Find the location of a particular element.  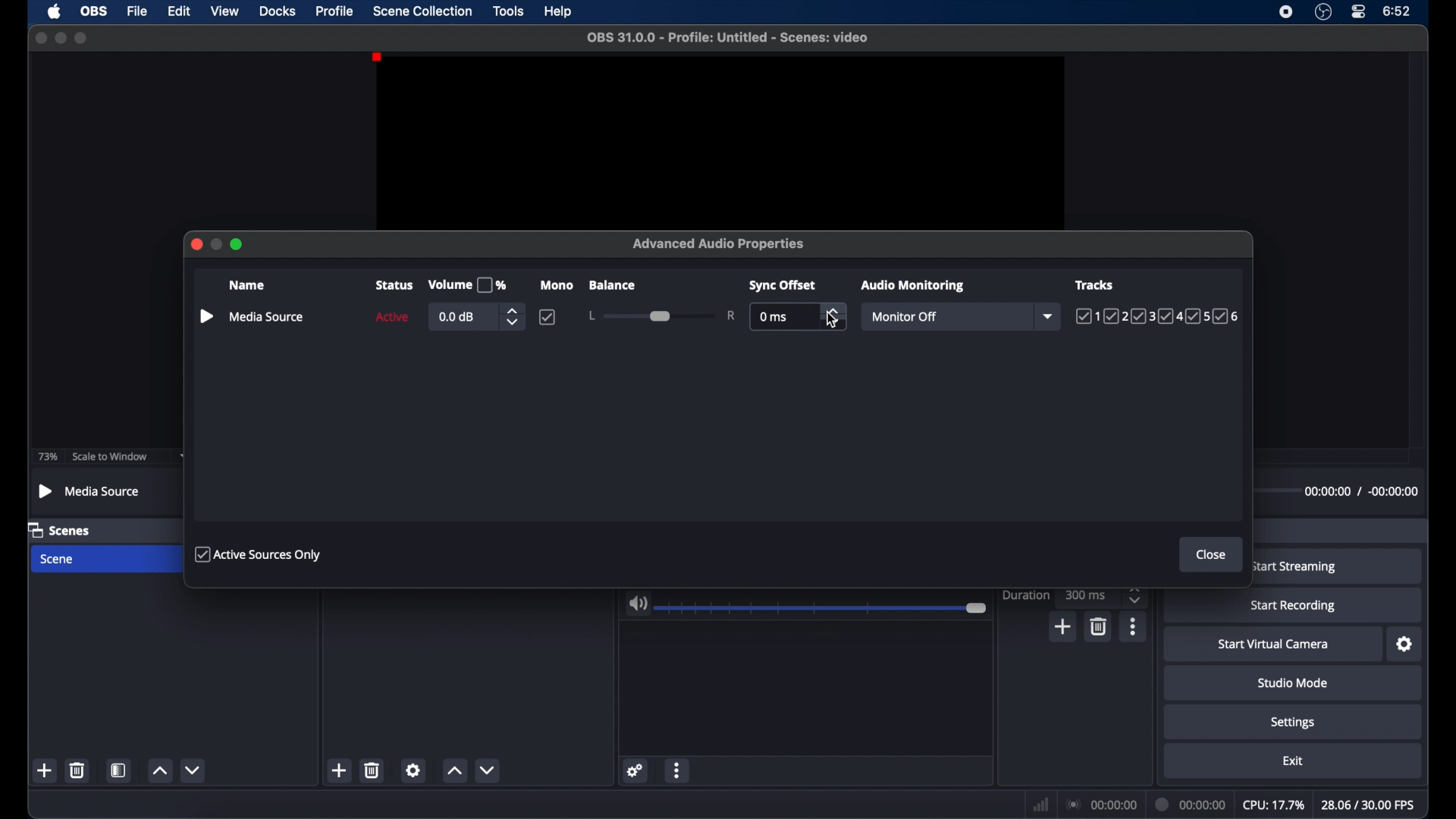

checkbox is located at coordinates (548, 317).